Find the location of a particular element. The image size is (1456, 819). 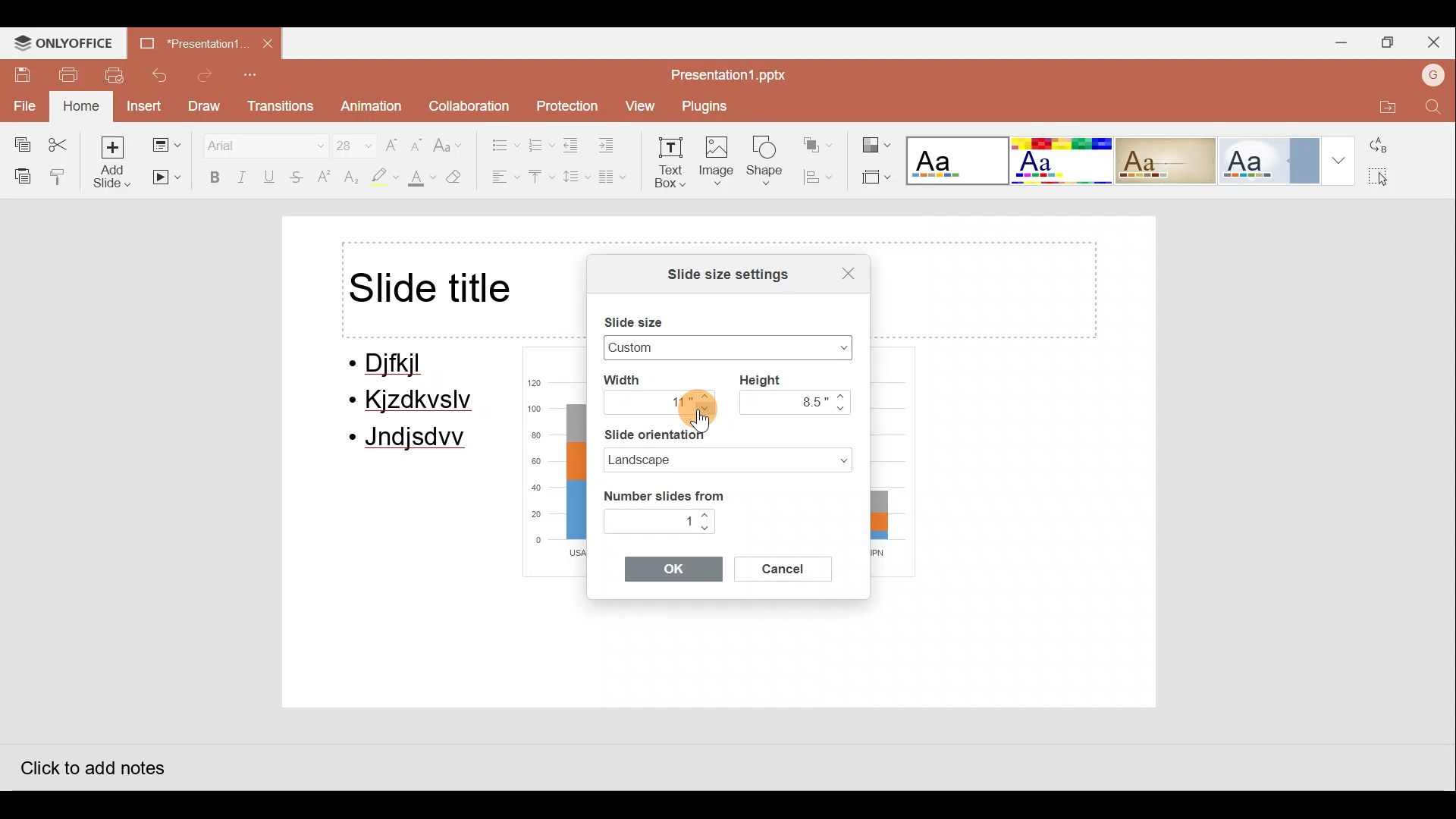

Maximize is located at coordinates (1389, 42).